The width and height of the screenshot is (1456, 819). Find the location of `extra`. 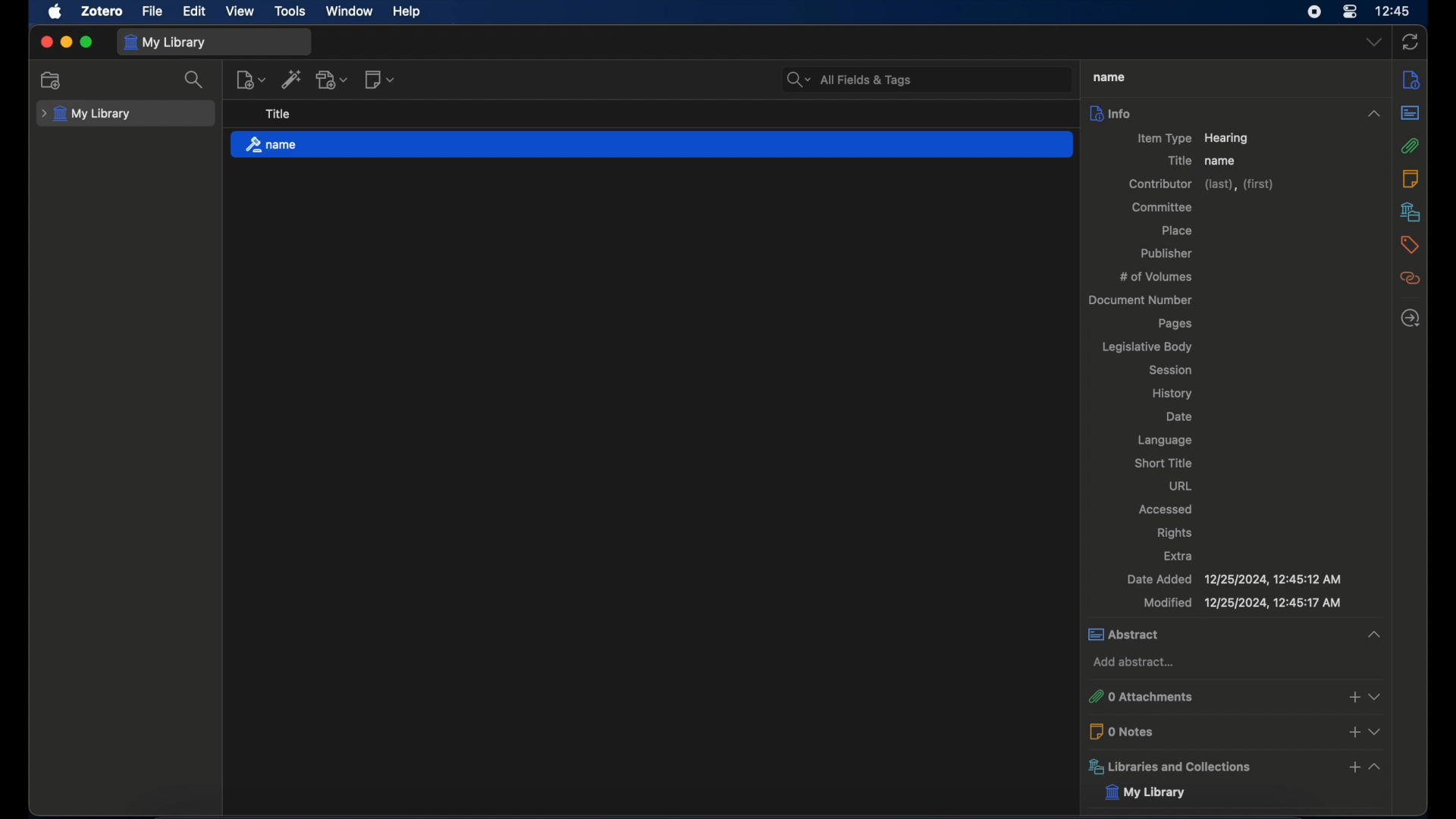

extra is located at coordinates (1179, 555).